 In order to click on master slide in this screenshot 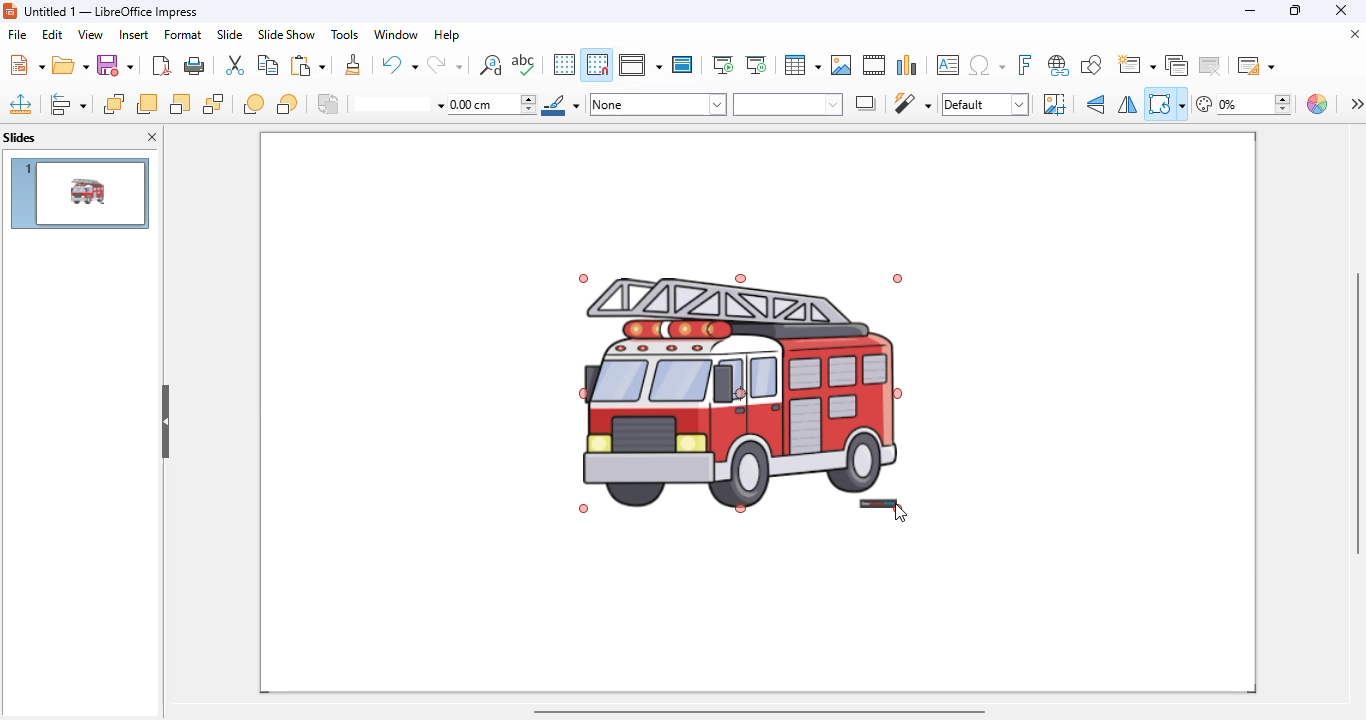, I will do `click(683, 64)`.